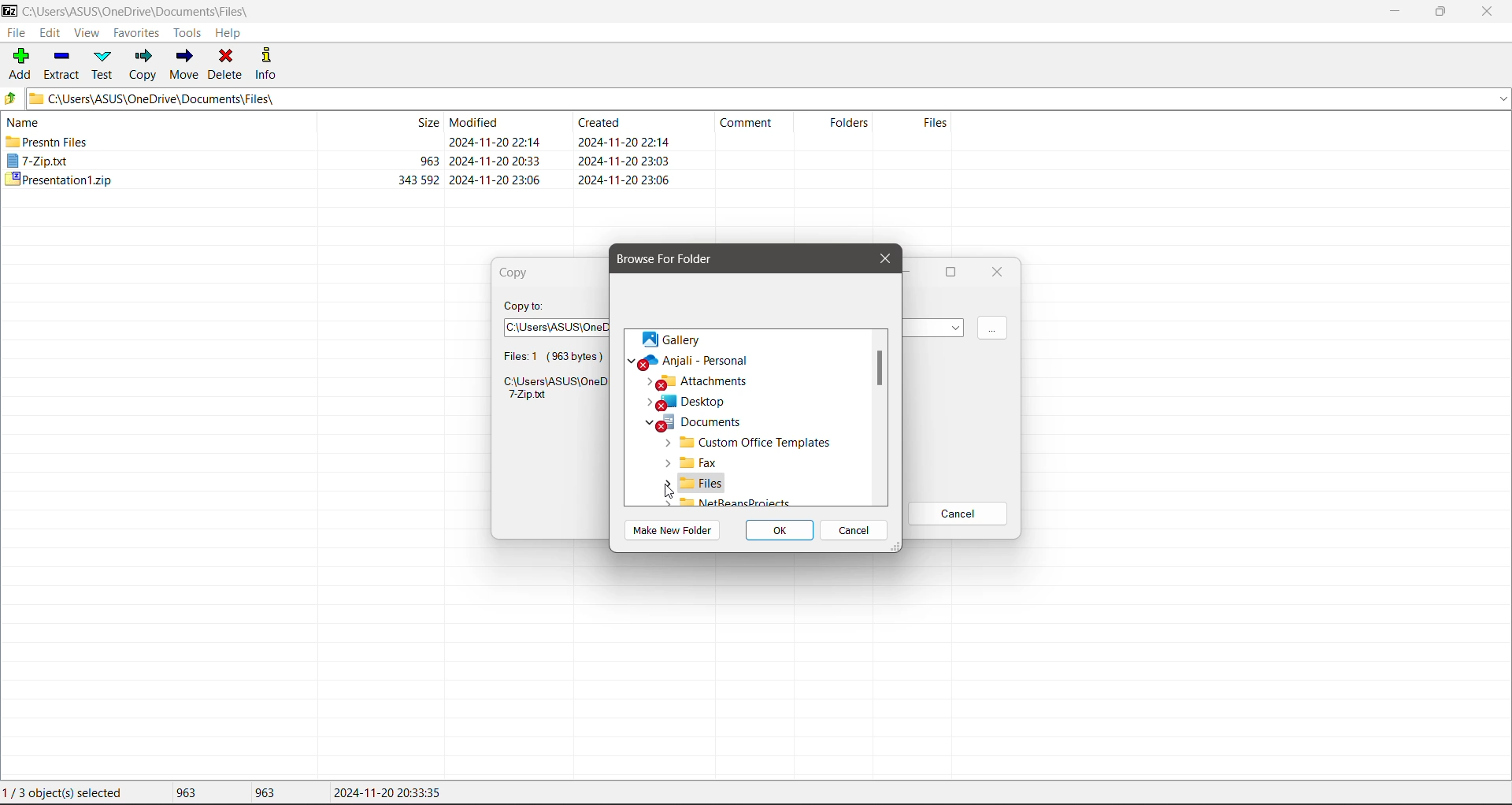 The width and height of the screenshot is (1512, 805). What do you see at coordinates (767, 98) in the screenshot?
I see `Current Folder Path` at bounding box center [767, 98].